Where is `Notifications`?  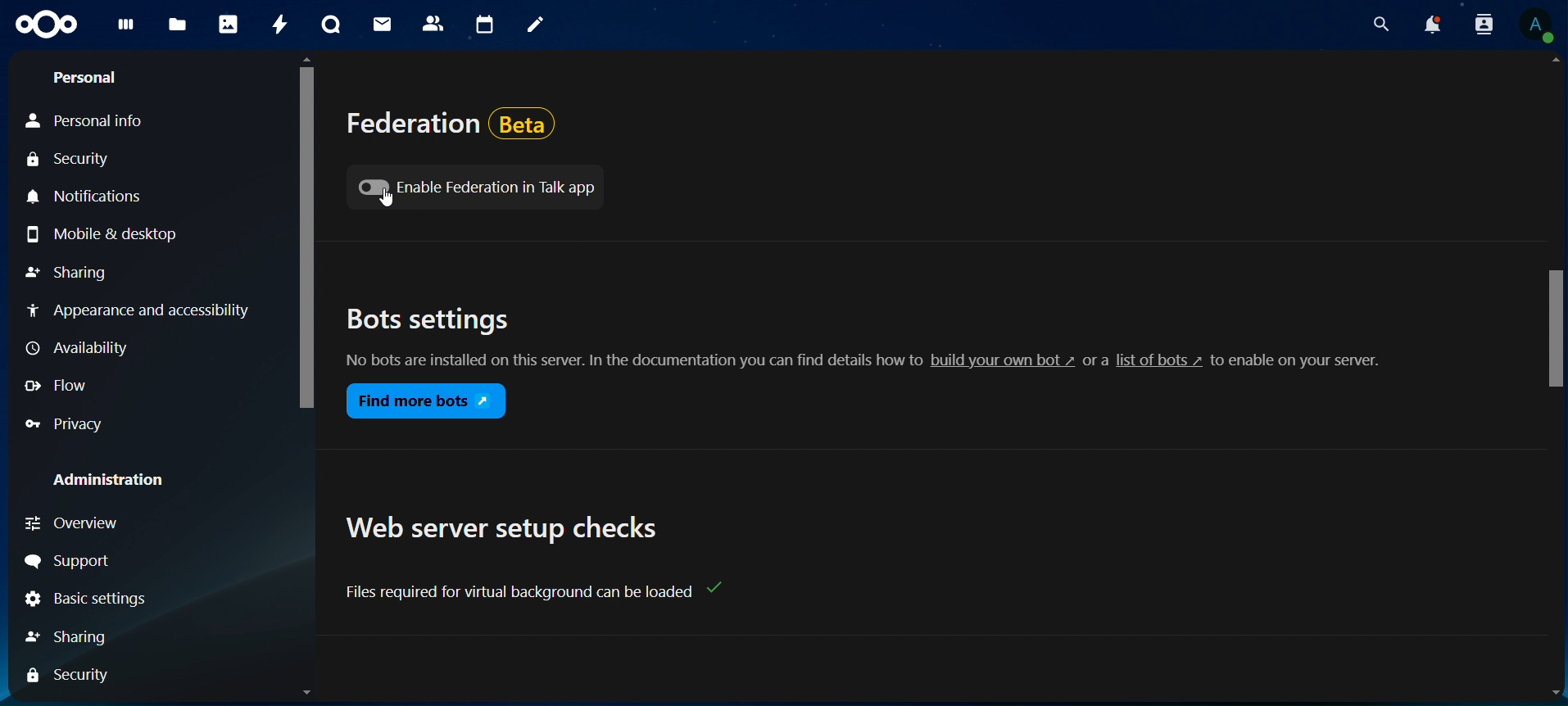
Notifications is located at coordinates (84, 197).